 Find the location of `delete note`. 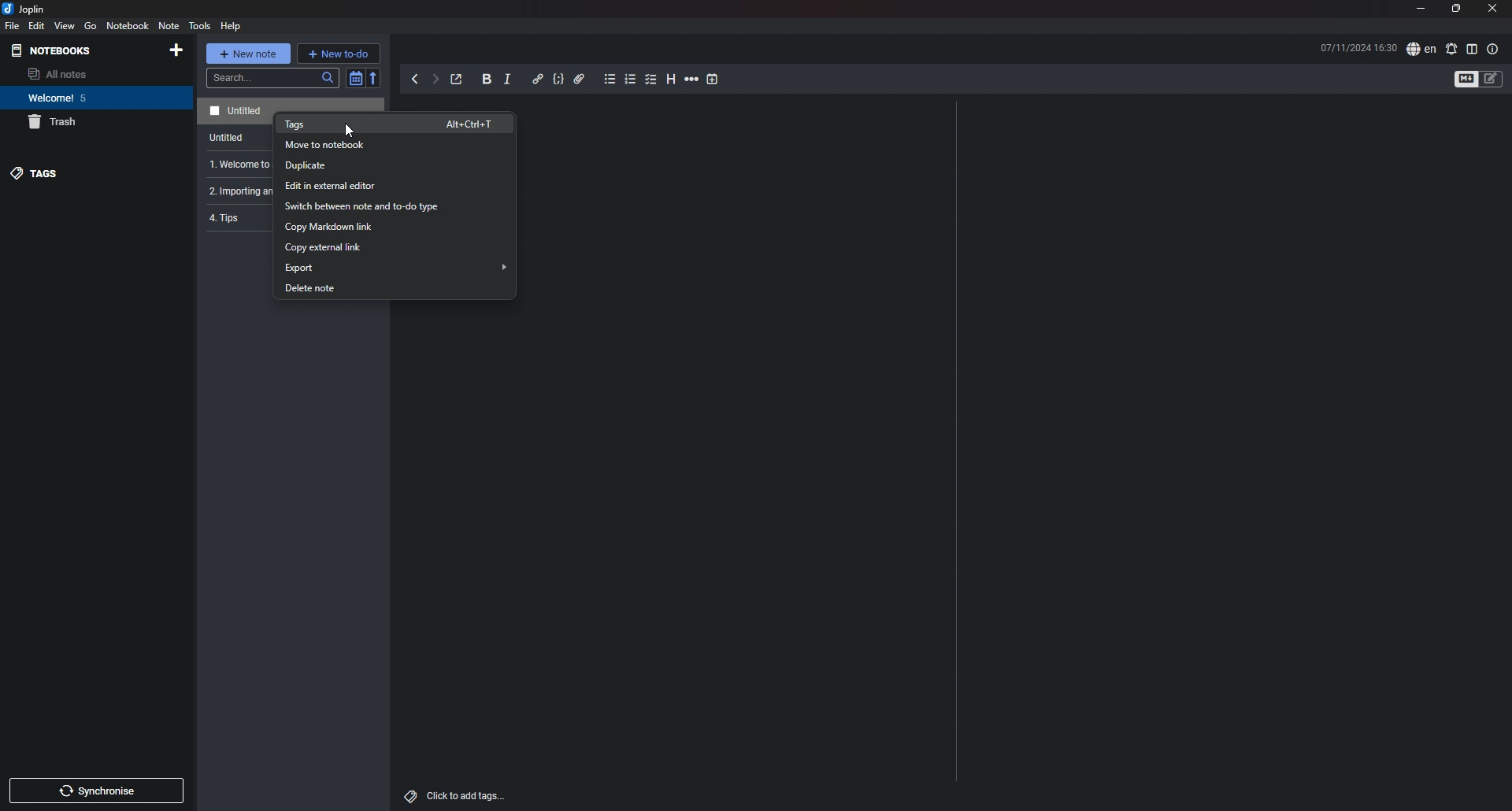

delete note is located at coordinates (395, 287).